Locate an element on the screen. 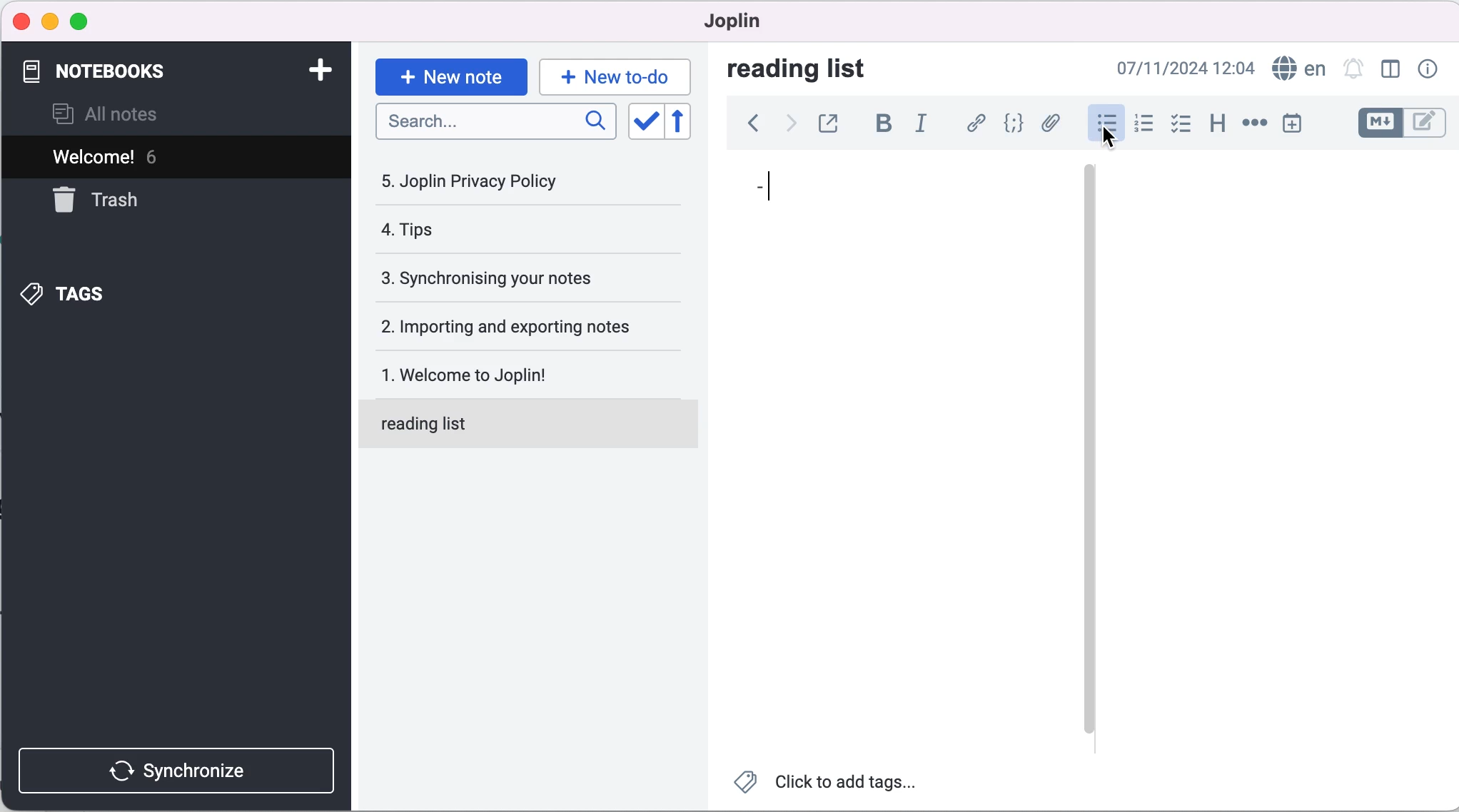 The width and height of the screenshot is (1459, 812). all notes is located at coordinates (127, 113).